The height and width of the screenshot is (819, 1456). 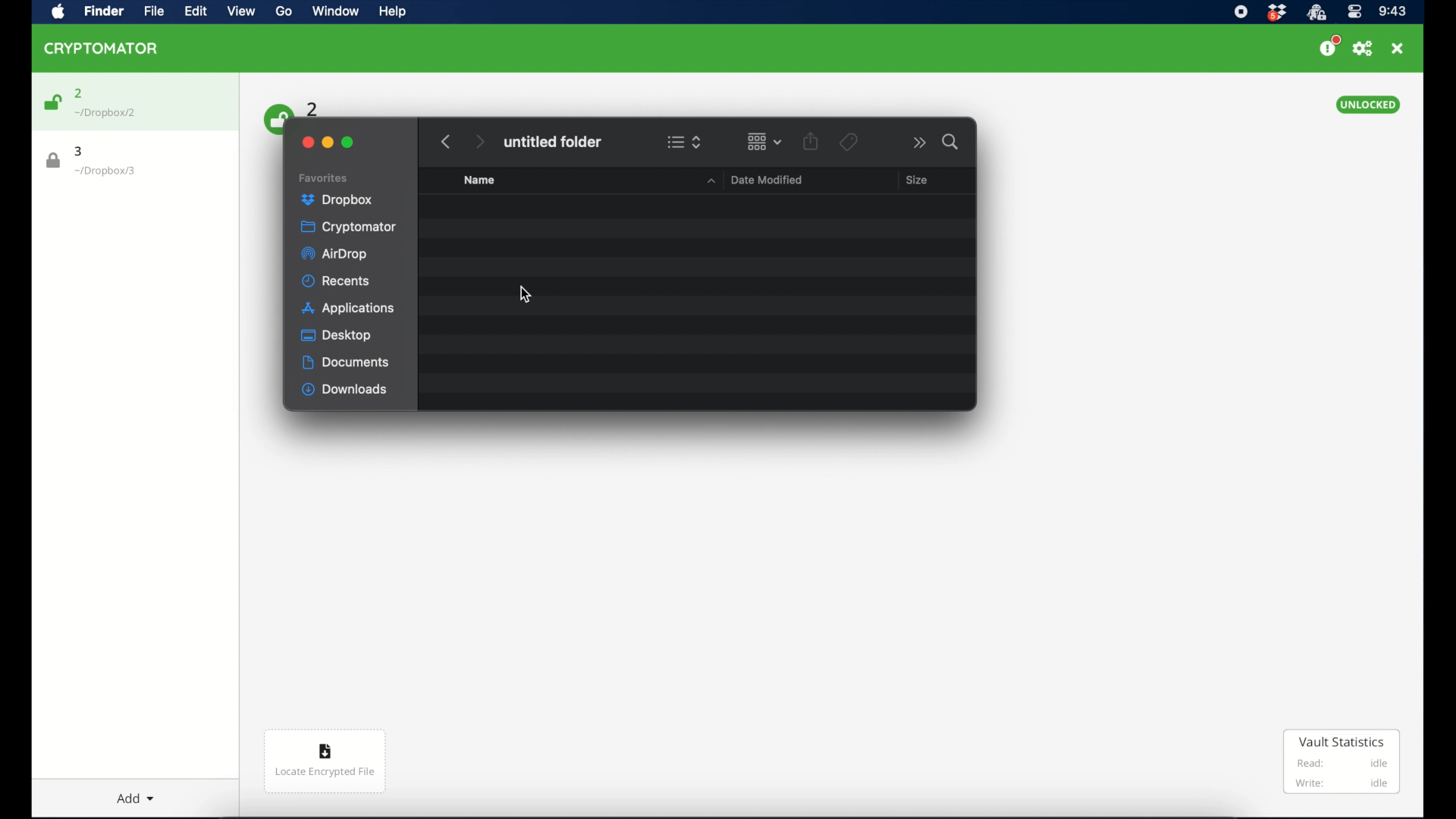 I want to click on applications, so click(x=348, y=309).